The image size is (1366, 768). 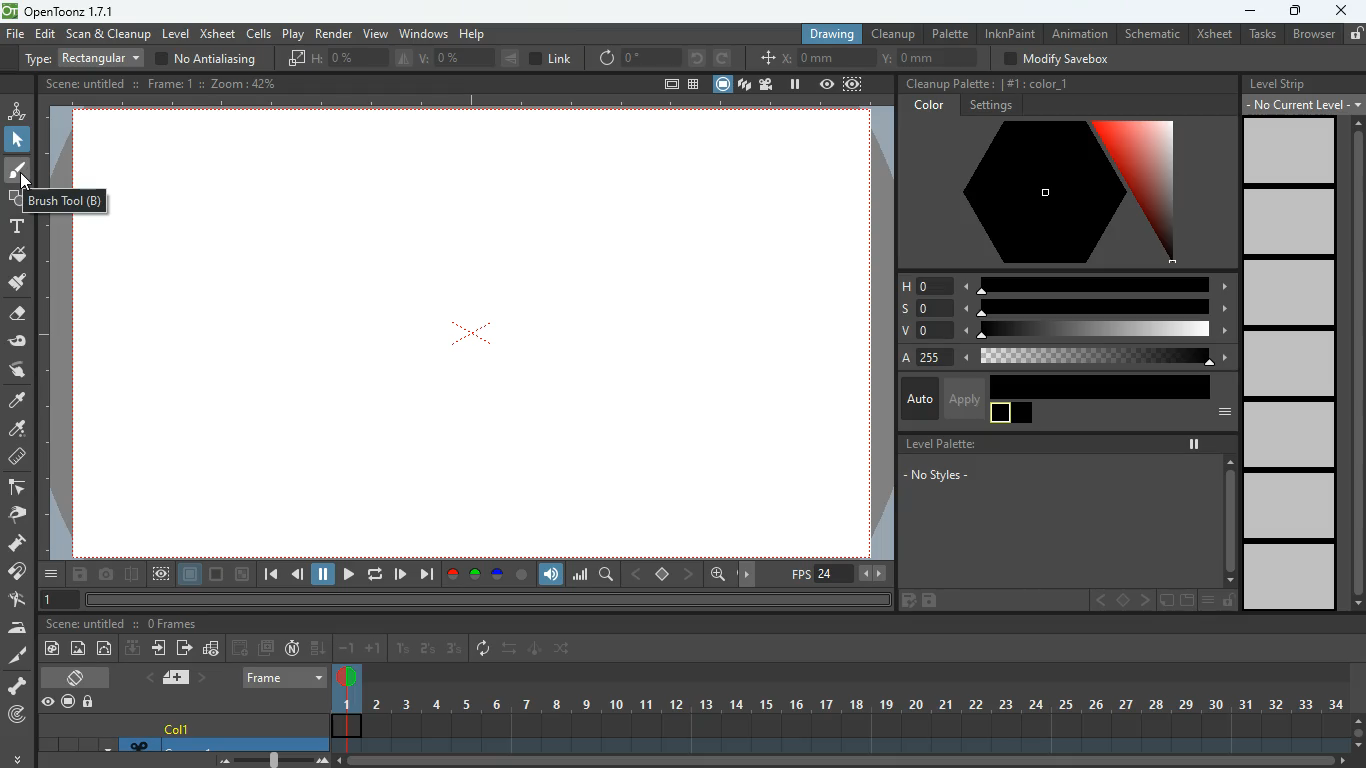 What do you see at coordinates (79, 677) in the screenshot?
I see `change screen` at bounding box center [79, 677].